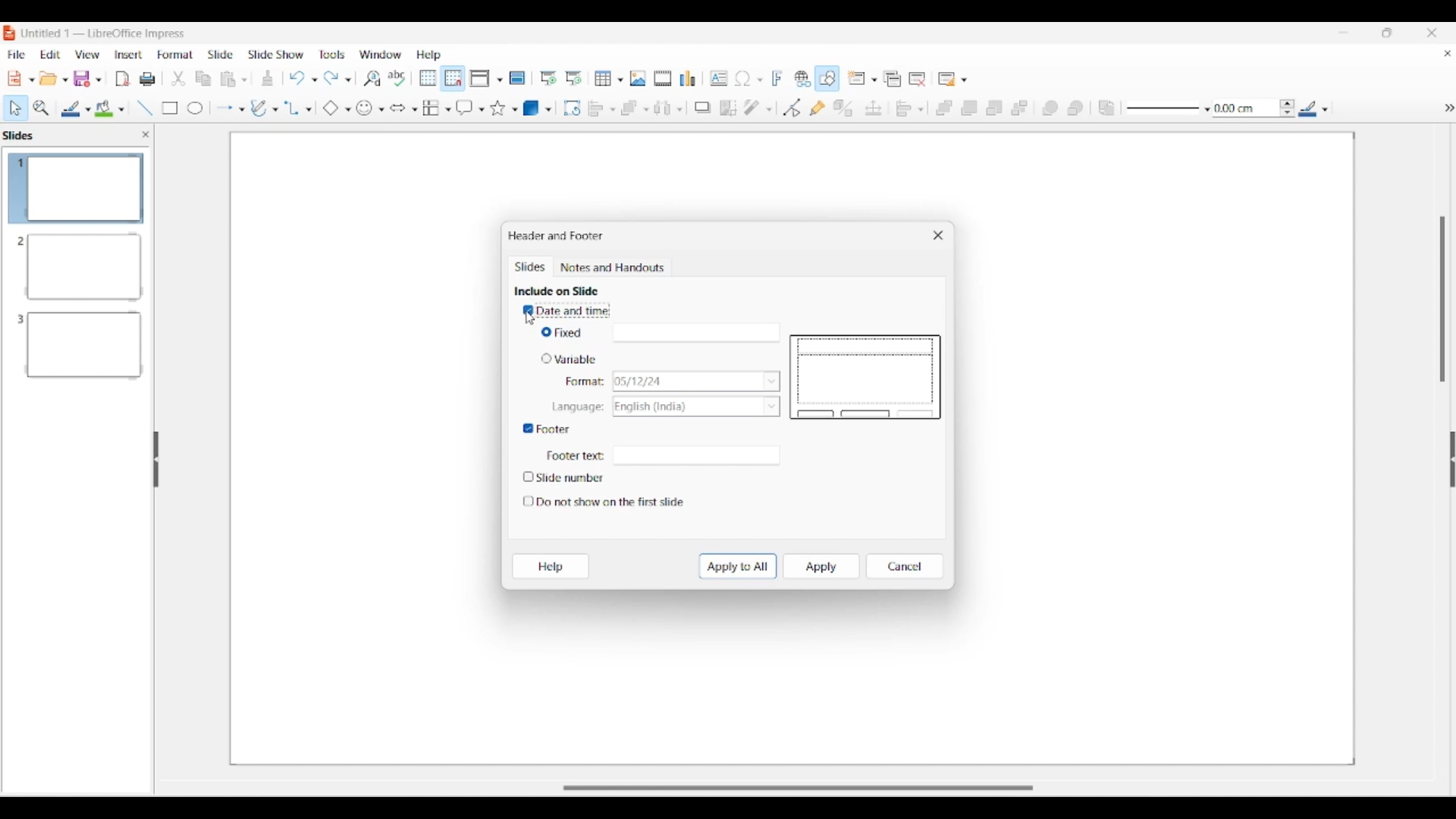  I want to click on Copy, so click(199, 77).